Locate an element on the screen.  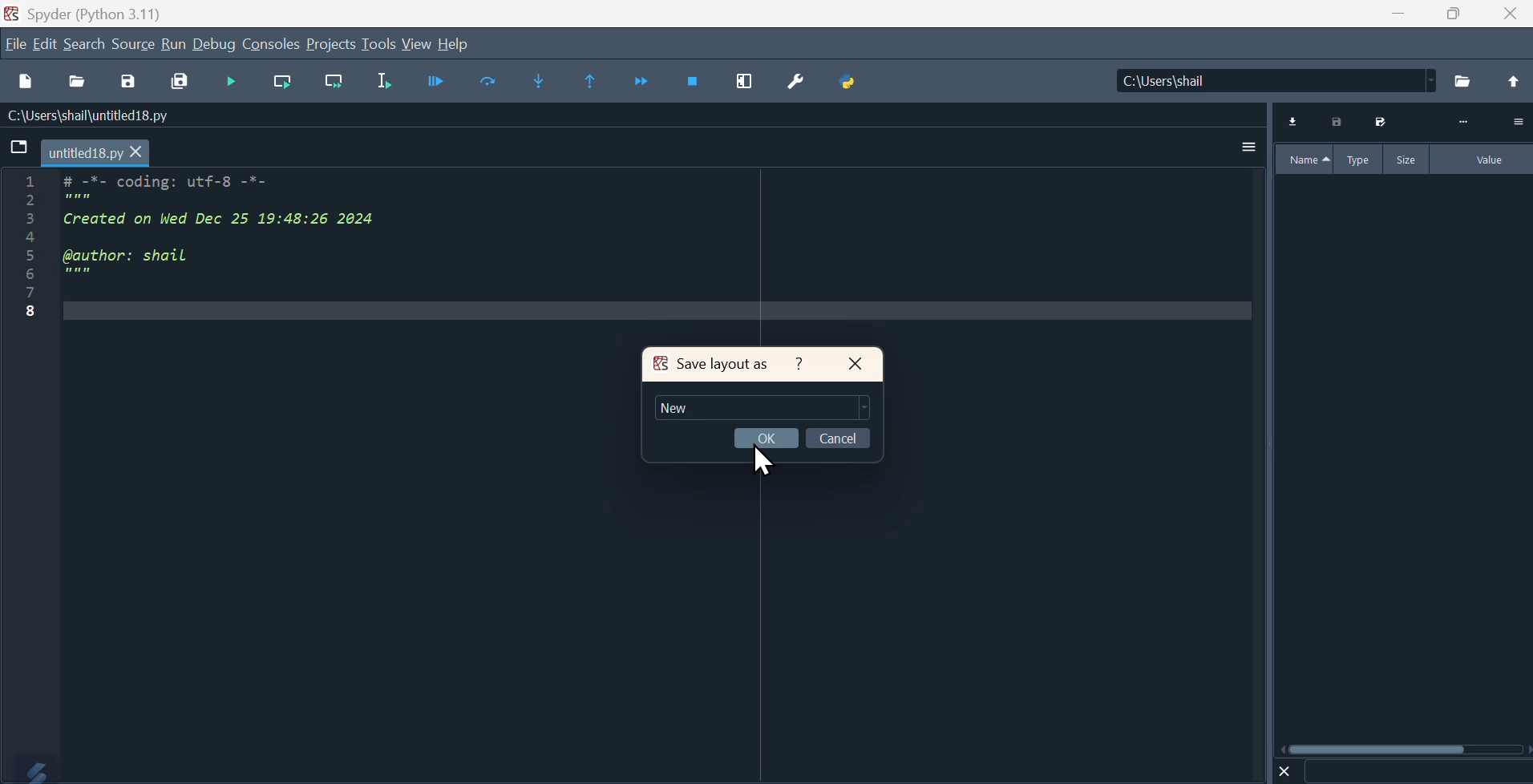
Python path manager is located at coordinates (847, 83).